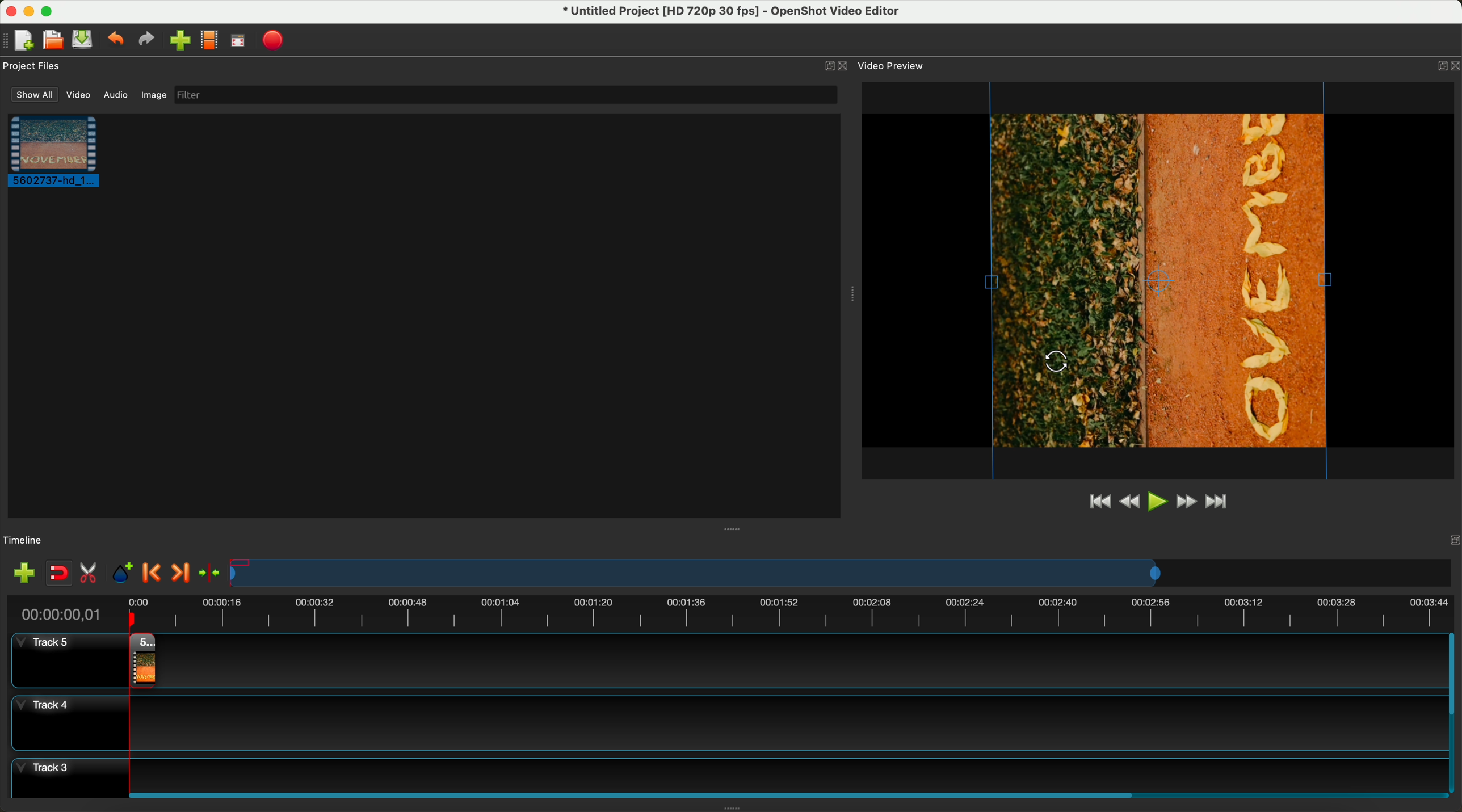 This screenshot has height=812, width=1462. I want to click on fast foward, so click(1186, 501).